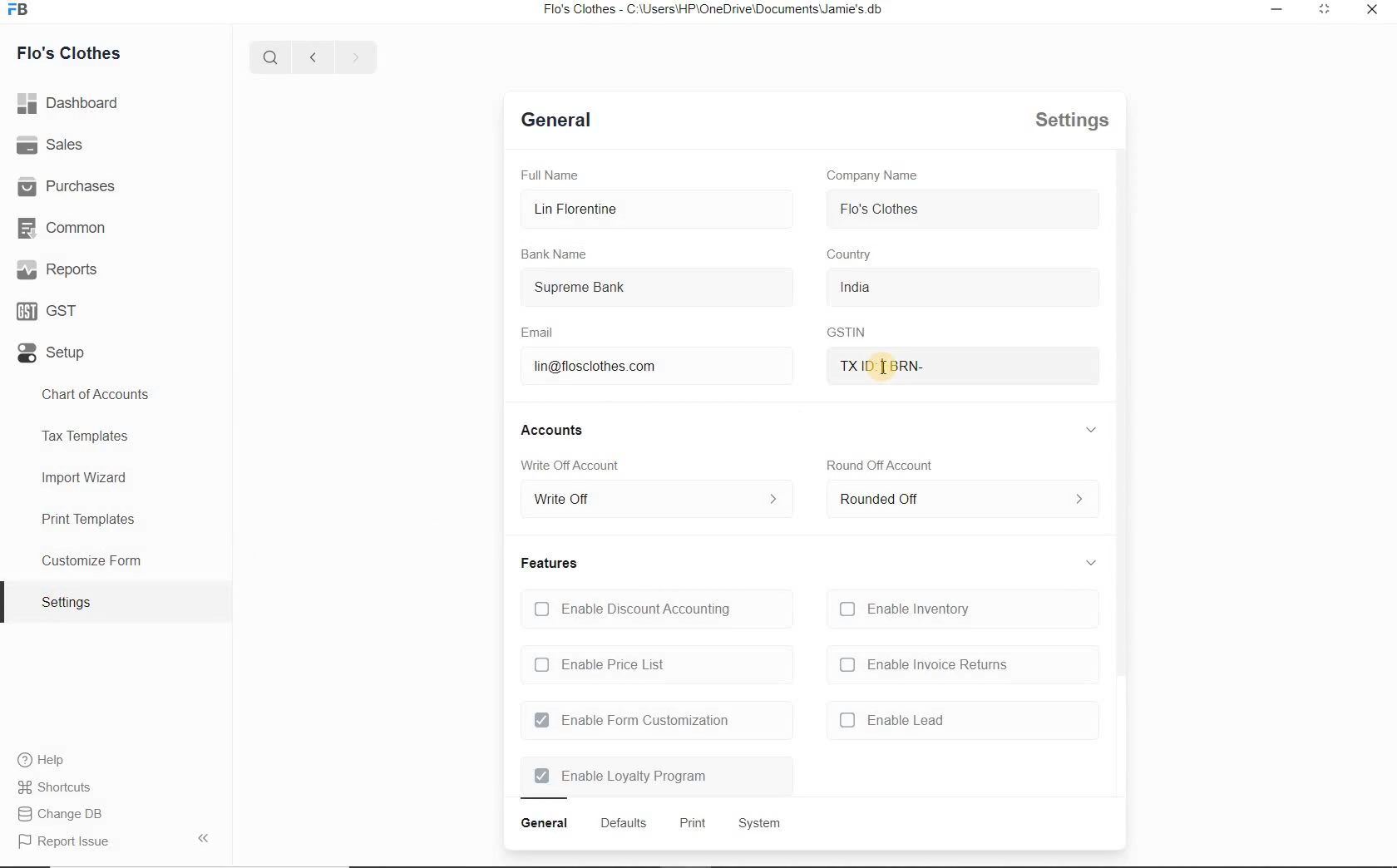 This screenshot has height=868, width=1397. Describe the element at coordinates (691, 825) in the screenshot. I see `print` at that location.